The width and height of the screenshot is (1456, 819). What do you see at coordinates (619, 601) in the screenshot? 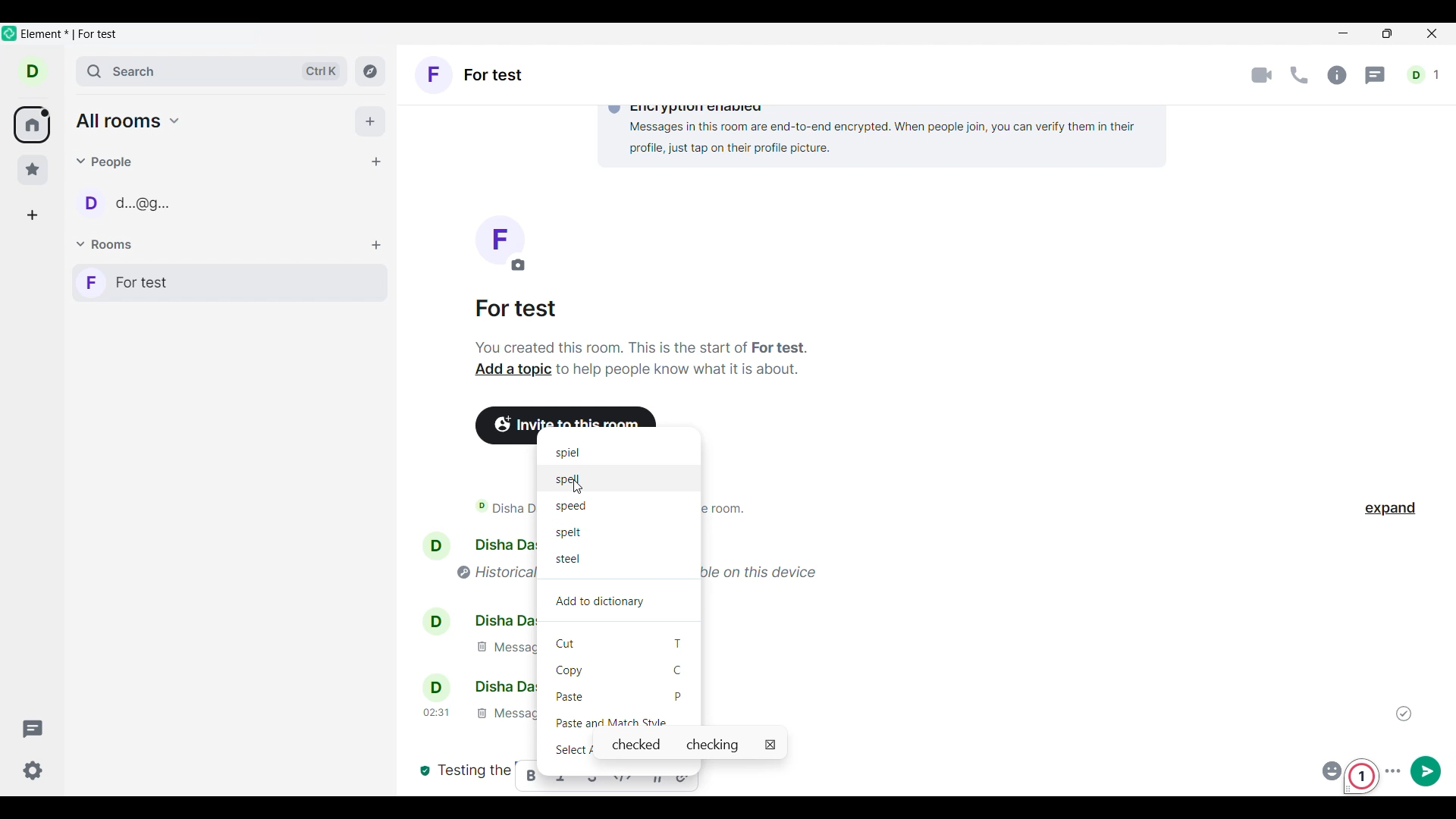
I see `Add to dictionary` at bounding box center [619, 601].